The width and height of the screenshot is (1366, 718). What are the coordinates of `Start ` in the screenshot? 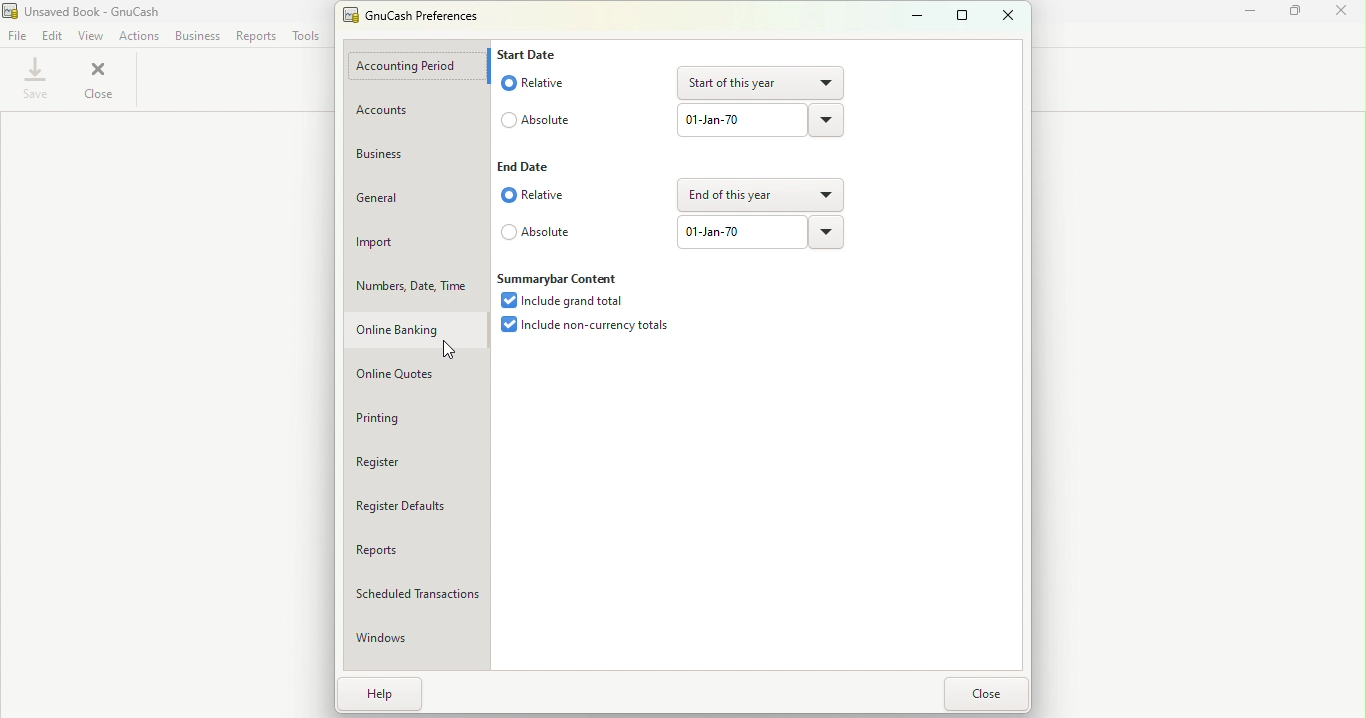 It's located at (534, 58).